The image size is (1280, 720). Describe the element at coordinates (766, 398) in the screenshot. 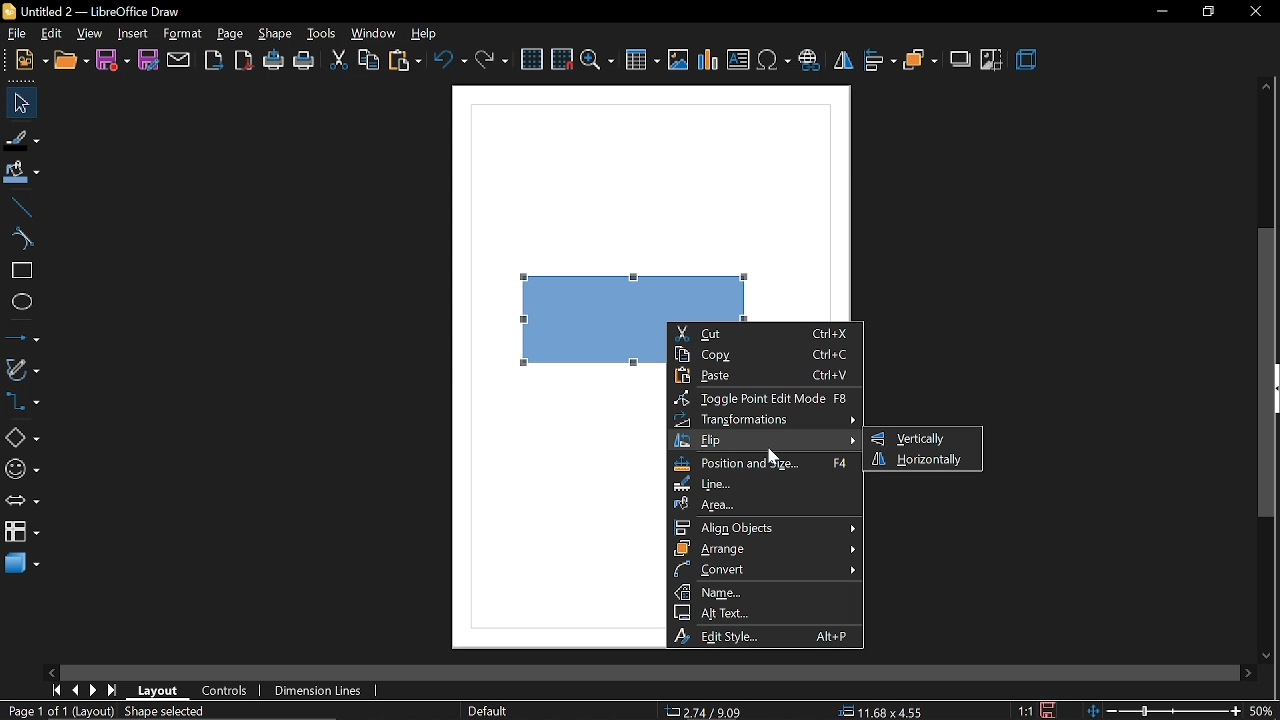

I see `toggle point edit mode` at that location.